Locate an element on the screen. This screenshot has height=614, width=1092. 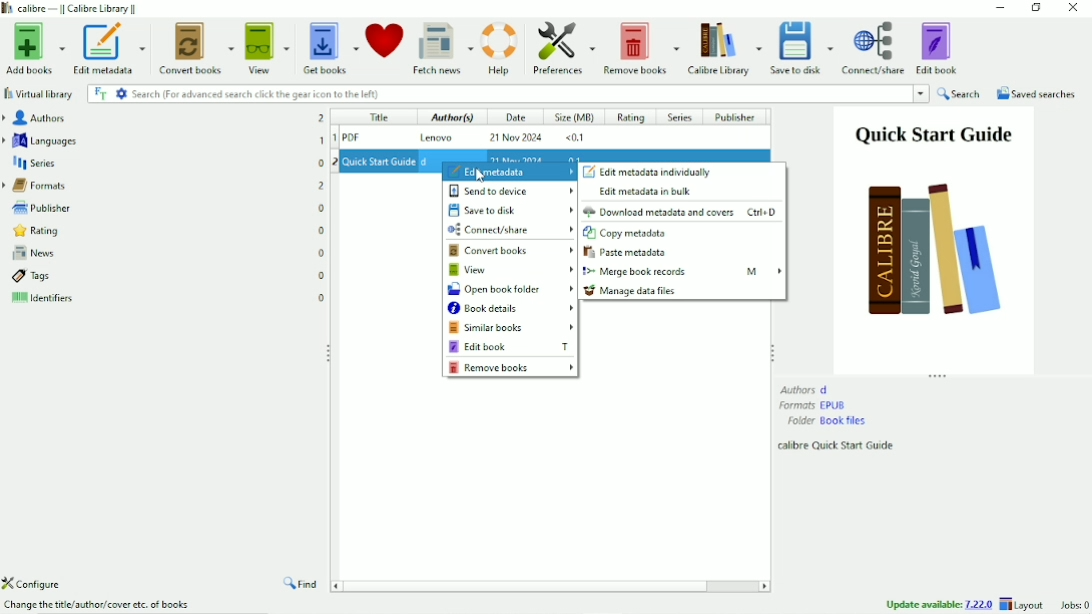
Rating is located at coordinates (164, 230).